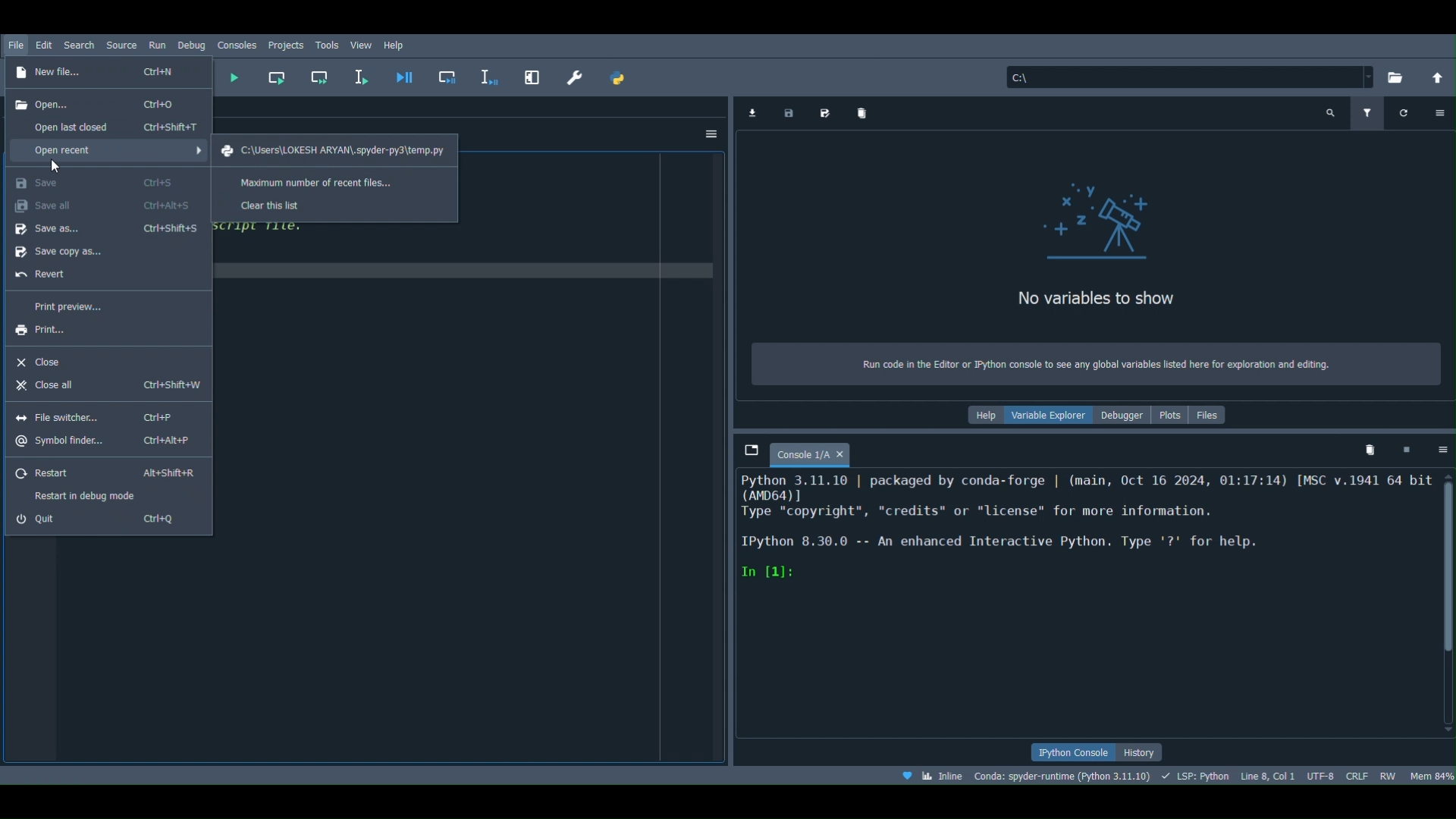 This screenshot has width=1456, height=819. Describe the element at coordinates (1070, 752) in the screenshot. I see `IPython console` at that location.